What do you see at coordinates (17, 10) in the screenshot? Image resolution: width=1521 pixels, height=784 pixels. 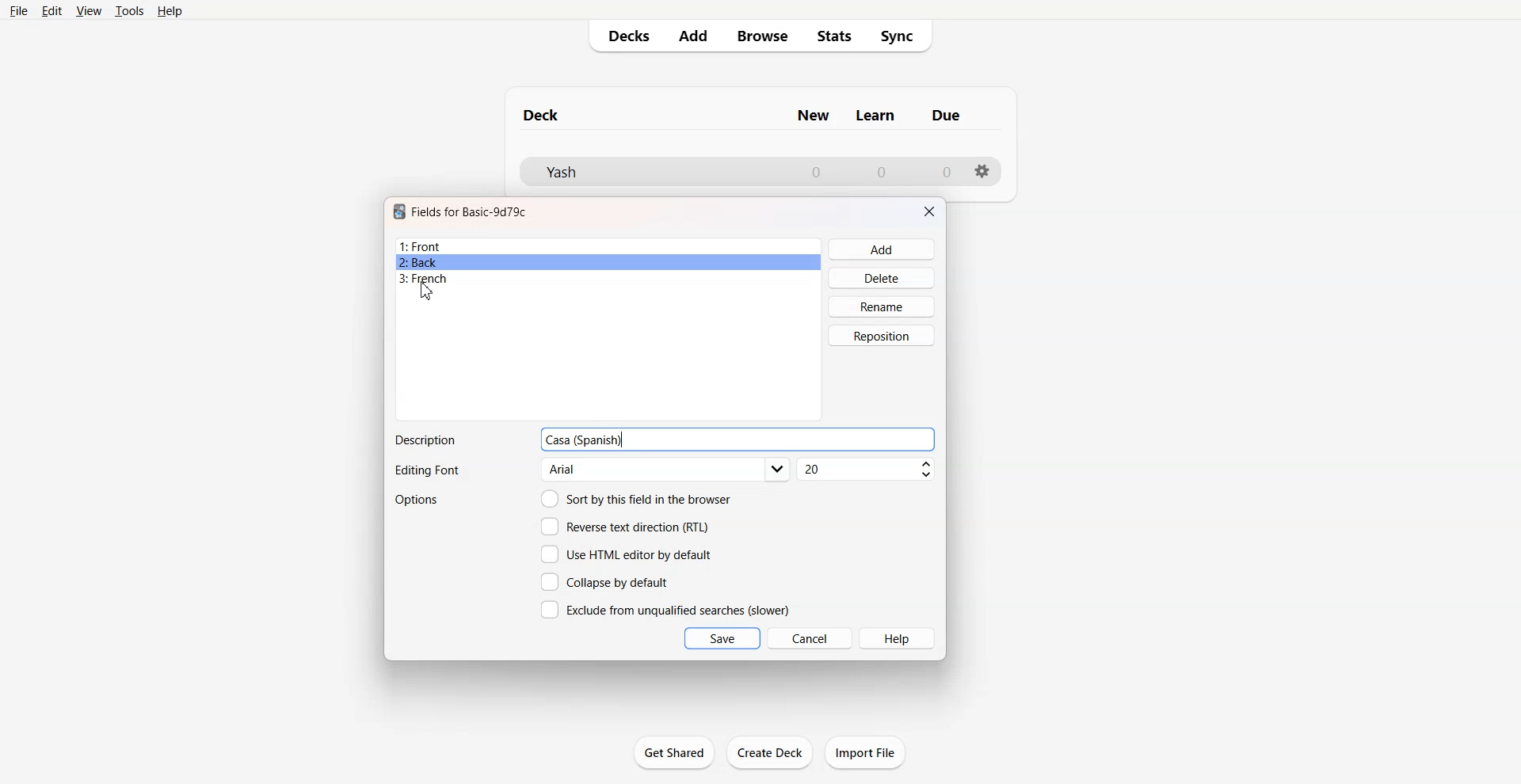 I see `File` at bounding box center [17, 10].